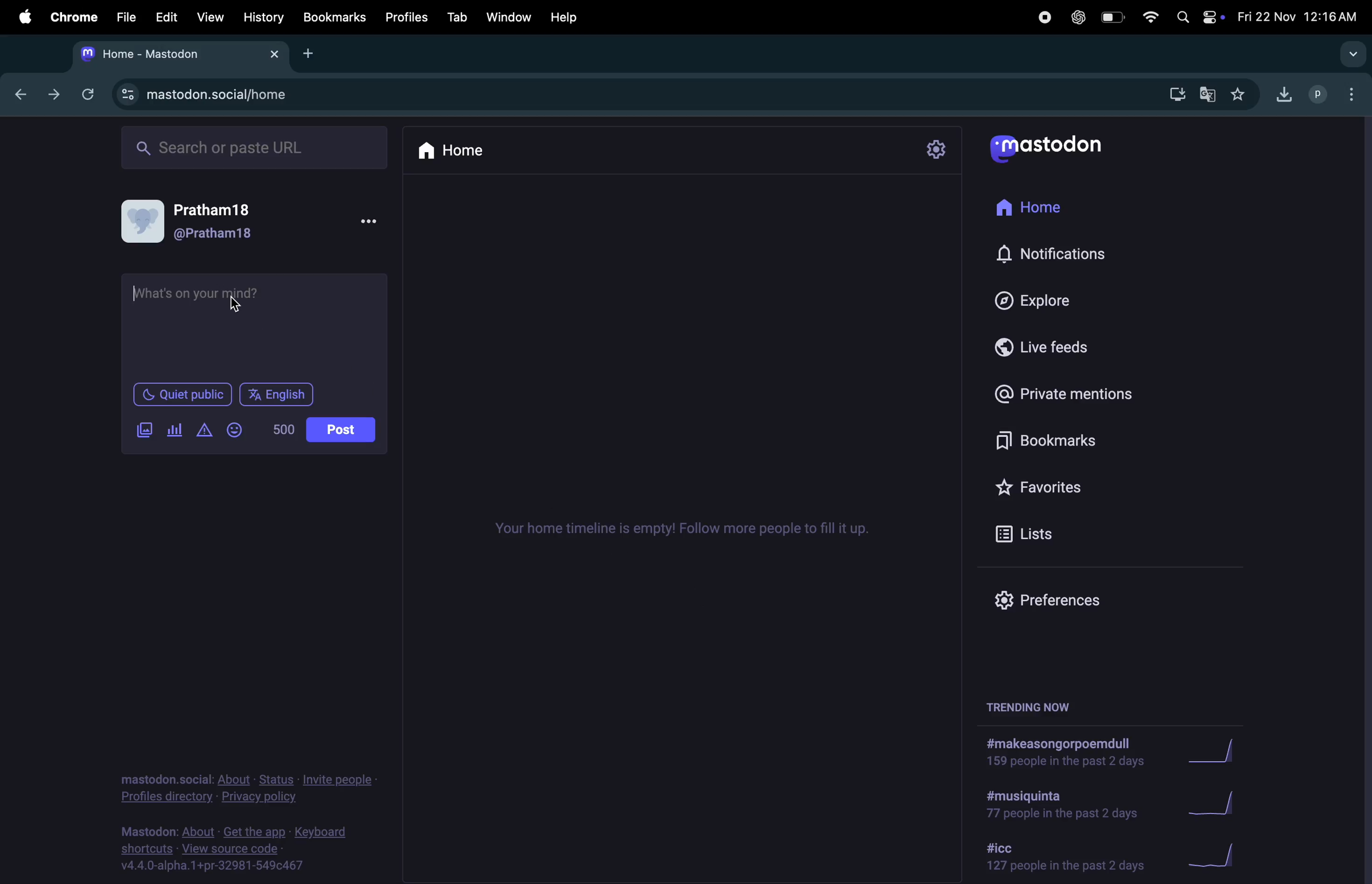 Image resolution: width=1372 pixels, height=884 pixels. I want to click on downloads, so click(1173, 95).